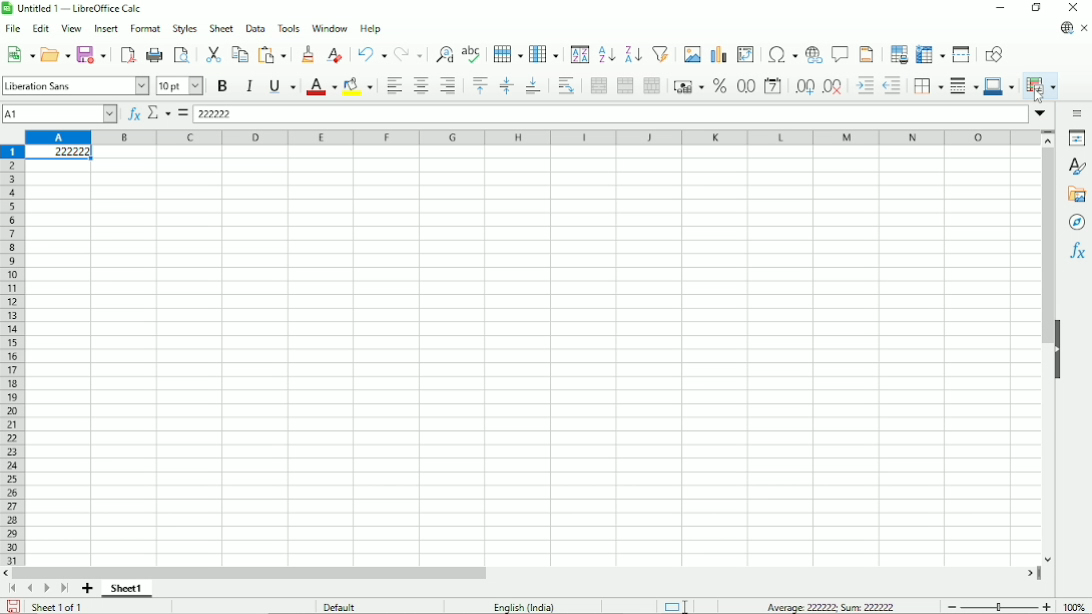 The height and width of the screenshot is (614, 1092). Describe the element at coordinates (181, 55) in the screenshot. I see `Toggle print preview` at that location.